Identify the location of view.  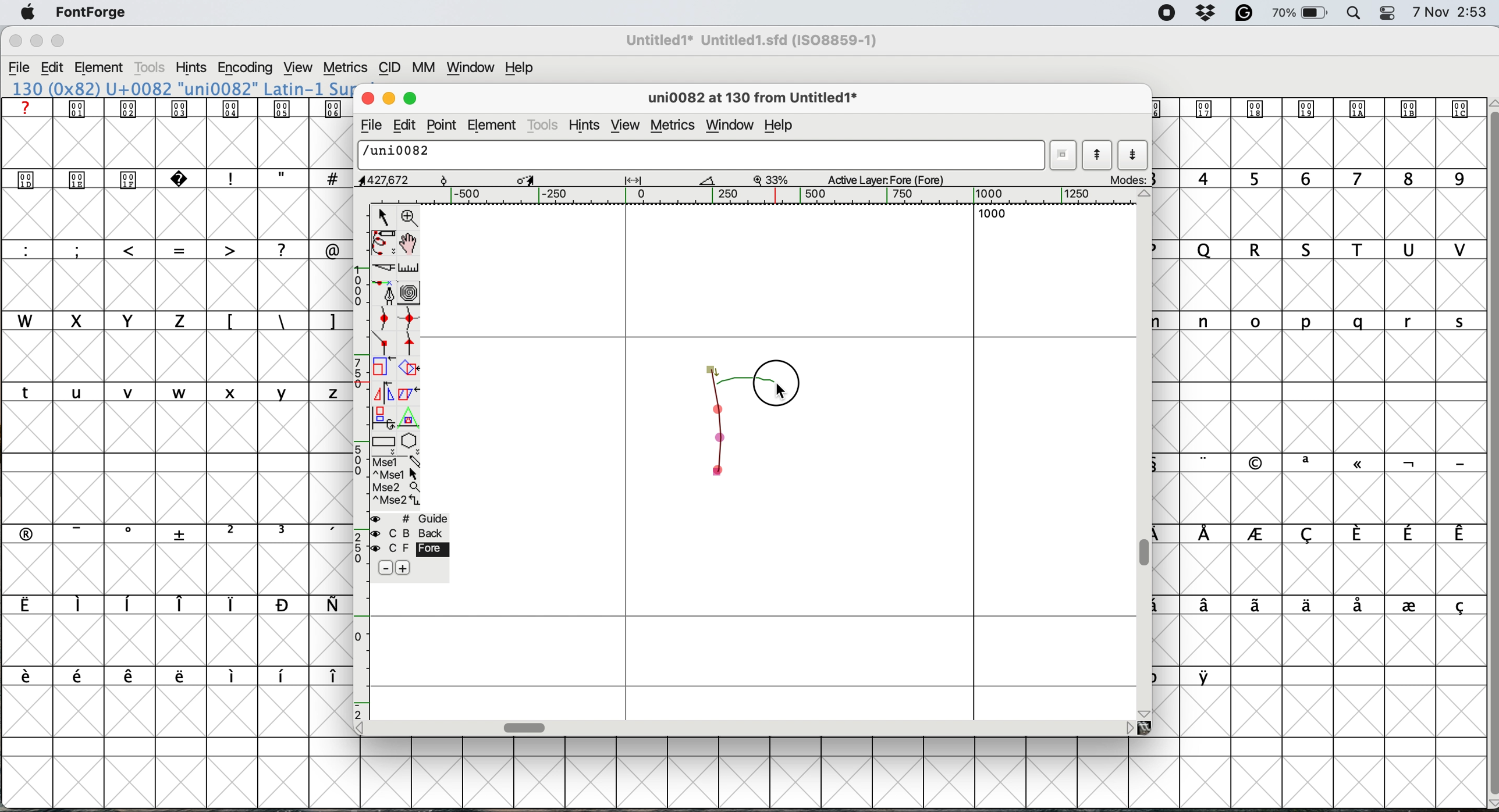
(626, 126).